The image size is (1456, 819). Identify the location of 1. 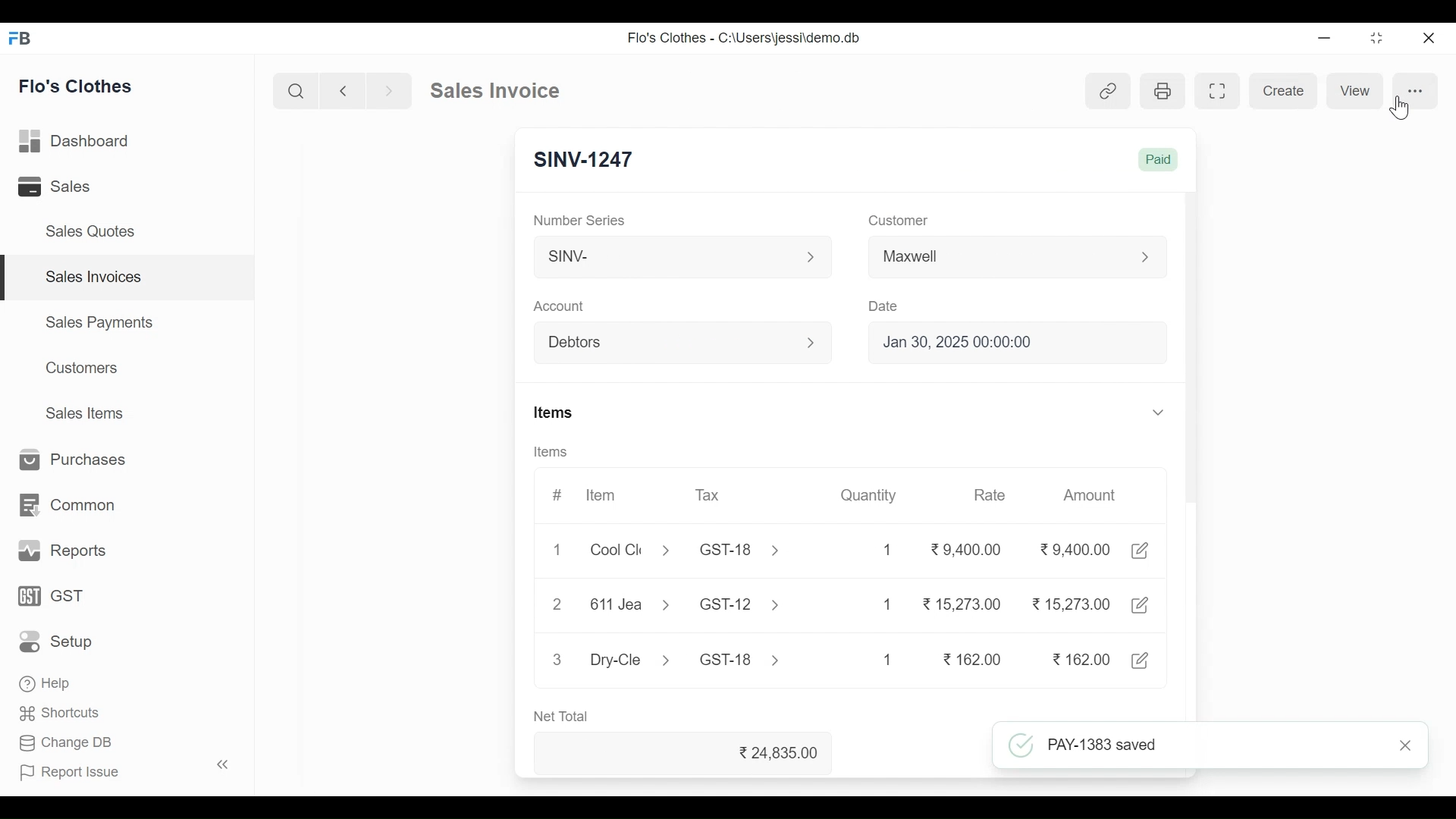
(887, 659).